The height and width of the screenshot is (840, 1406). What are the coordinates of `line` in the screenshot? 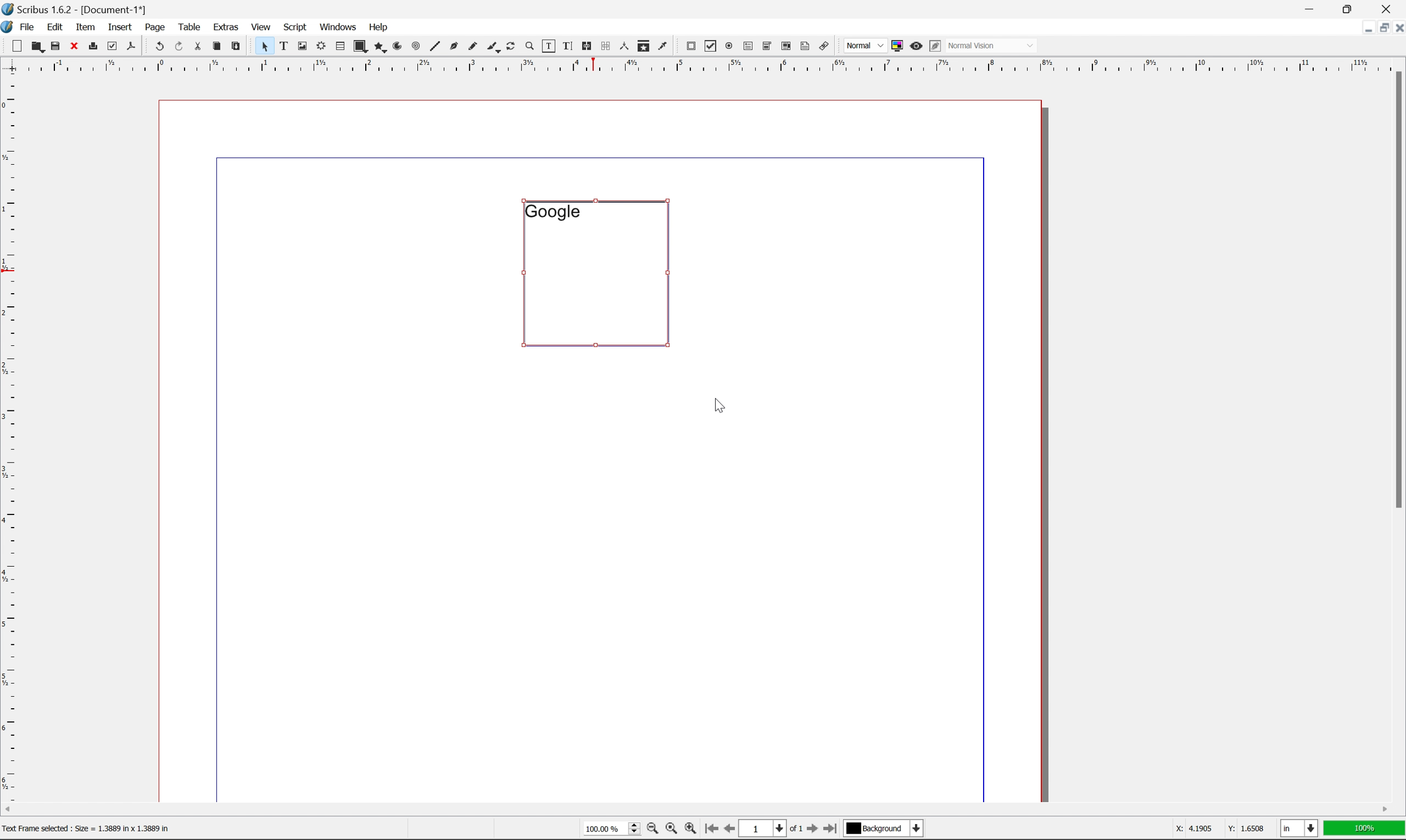 It's located at (435, 47).